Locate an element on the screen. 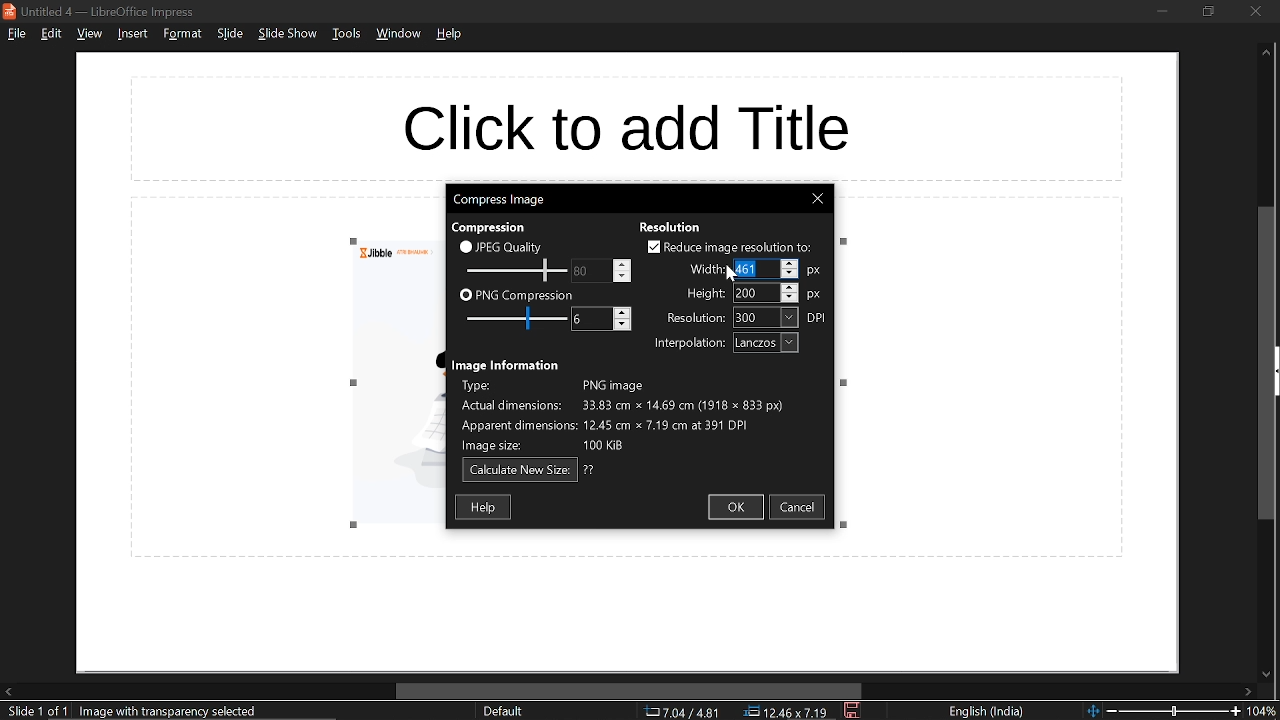 The image size is (1280, 720). move left is located at coordinates (8, 692).